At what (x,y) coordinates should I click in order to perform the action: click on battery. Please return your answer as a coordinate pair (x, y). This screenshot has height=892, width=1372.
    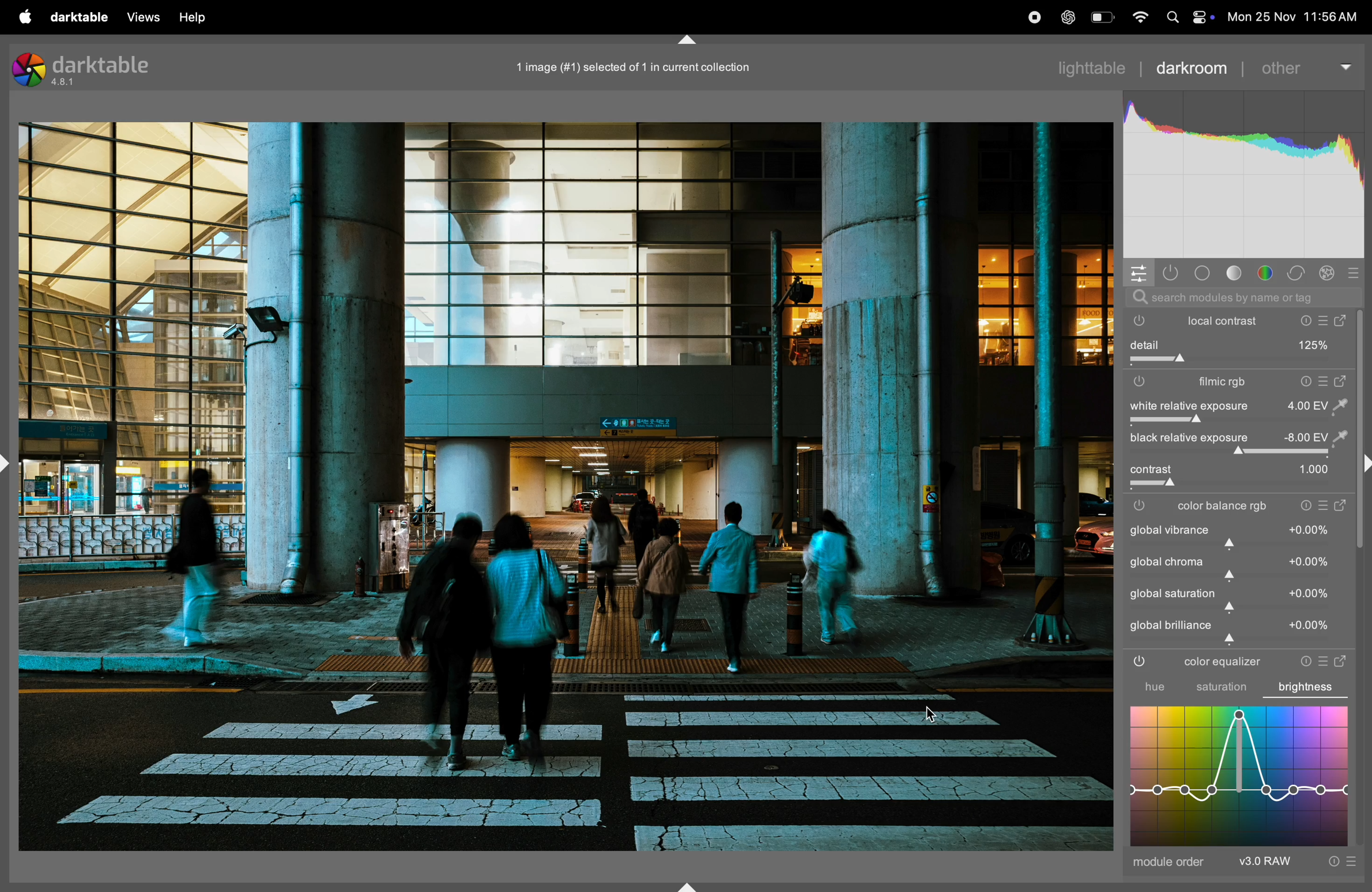
    Looking at the image, I should click on (1101, 17).